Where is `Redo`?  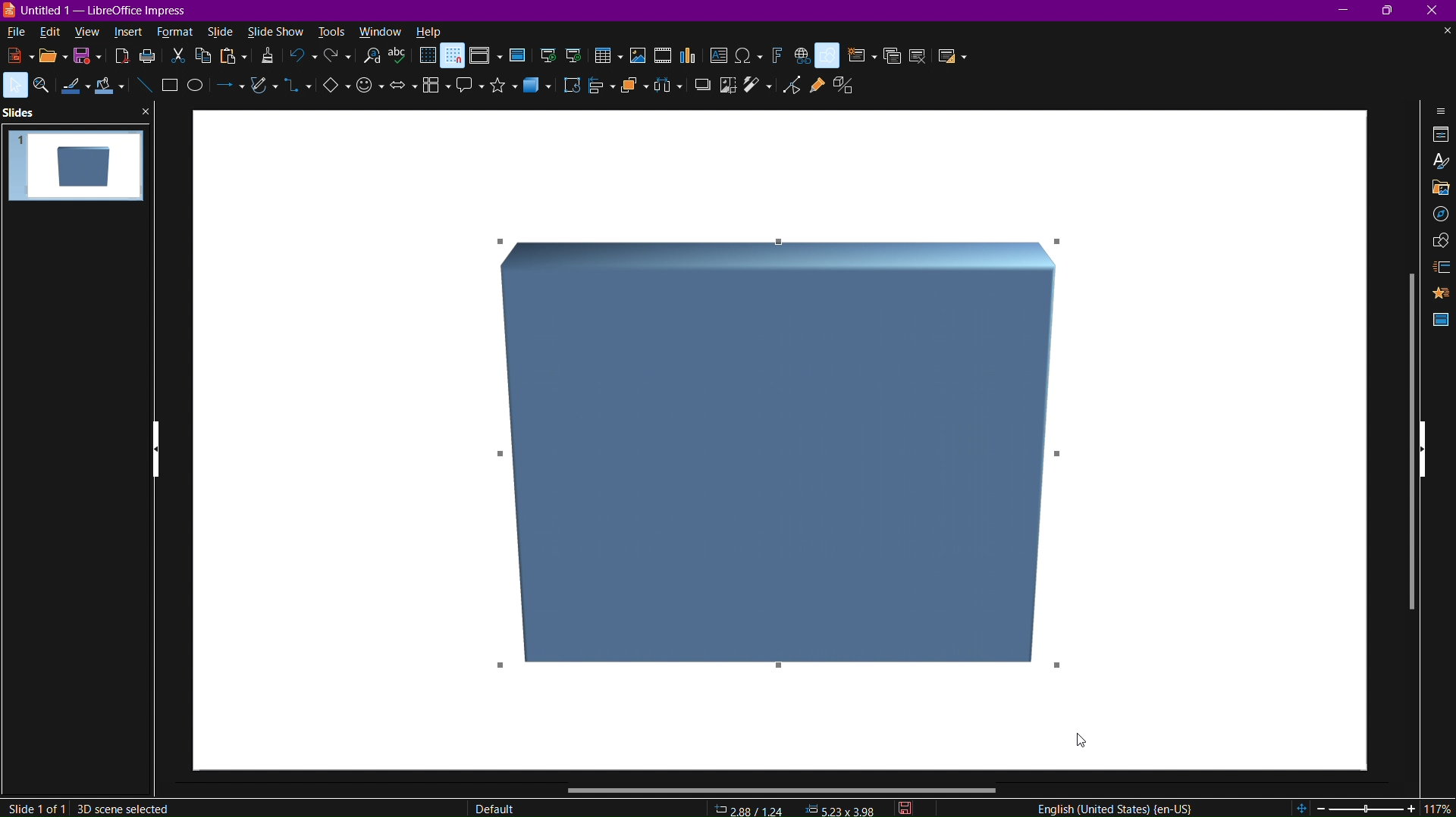
Redo is located at coordinates (336, 58).